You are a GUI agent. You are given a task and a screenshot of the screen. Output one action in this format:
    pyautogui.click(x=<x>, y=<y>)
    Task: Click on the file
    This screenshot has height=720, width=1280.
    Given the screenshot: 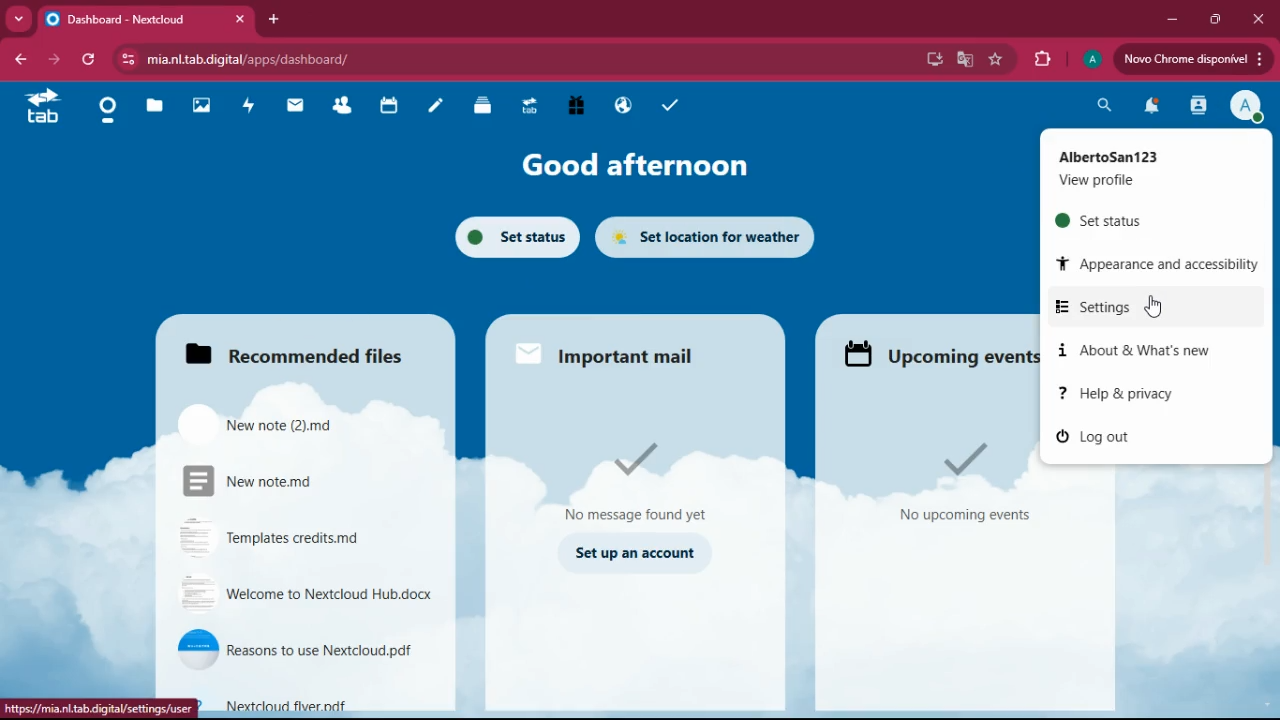 What is the action you would take?
    pyautogui.click(x=308, y=595)
    